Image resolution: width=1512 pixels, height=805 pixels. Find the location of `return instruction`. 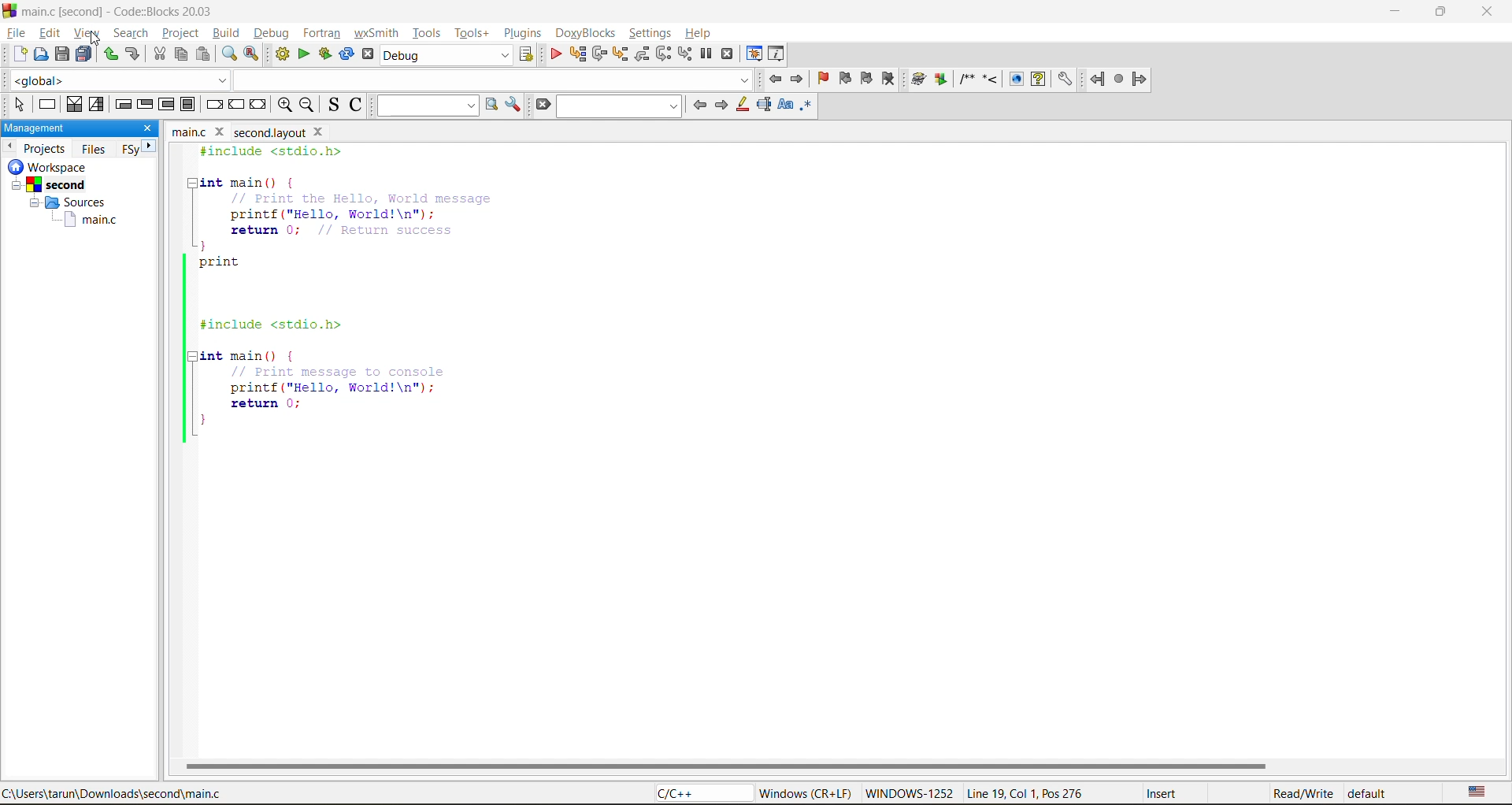

return instruction is located at coordinates (258, 106).